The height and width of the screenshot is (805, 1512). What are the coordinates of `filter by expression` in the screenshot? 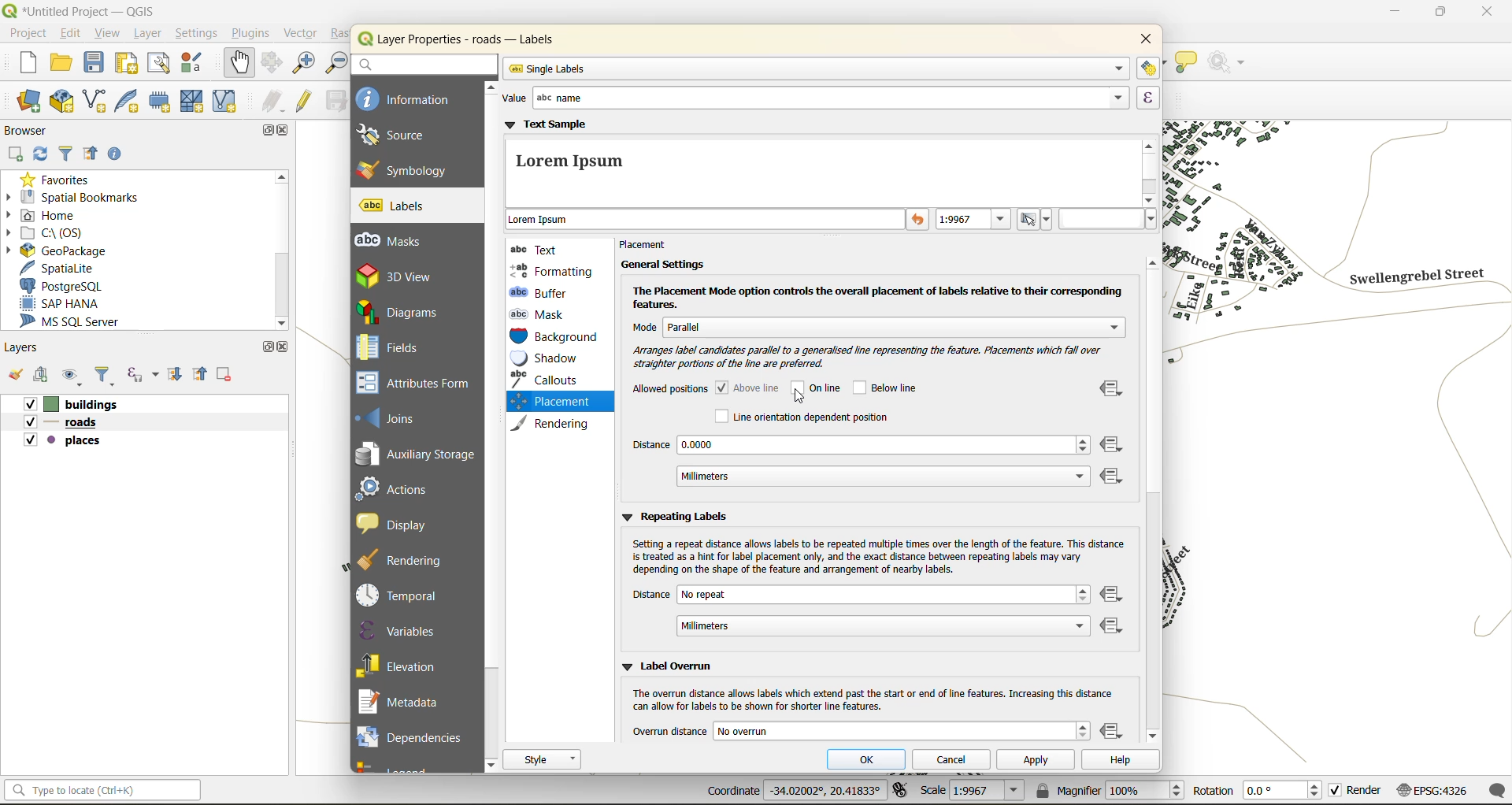 It's located at (143, 375).